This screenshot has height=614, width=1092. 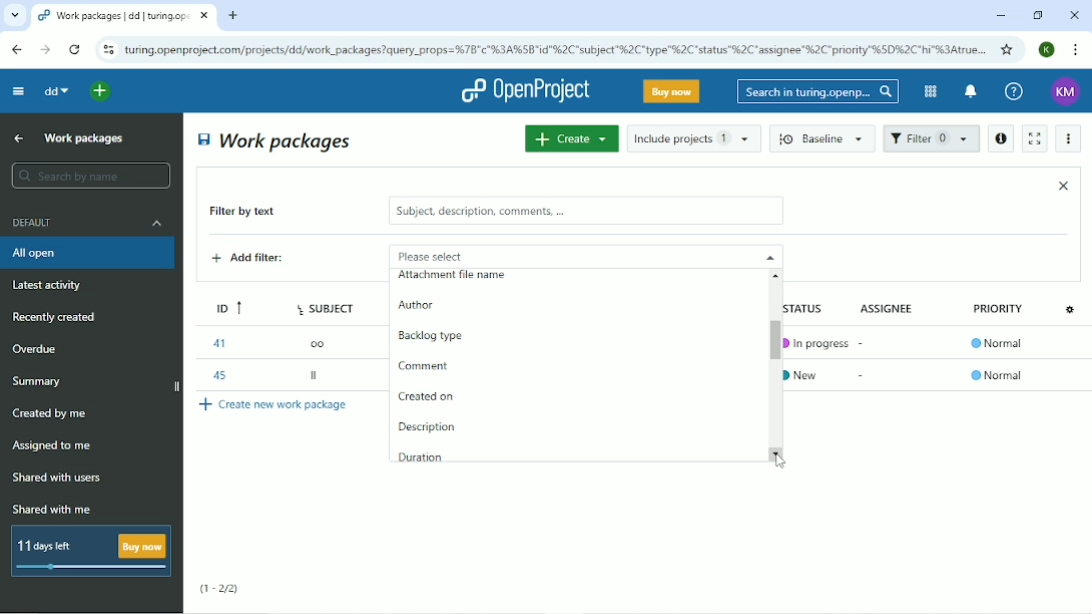 I want to click on Create new work package, so click(x=275, y=404).